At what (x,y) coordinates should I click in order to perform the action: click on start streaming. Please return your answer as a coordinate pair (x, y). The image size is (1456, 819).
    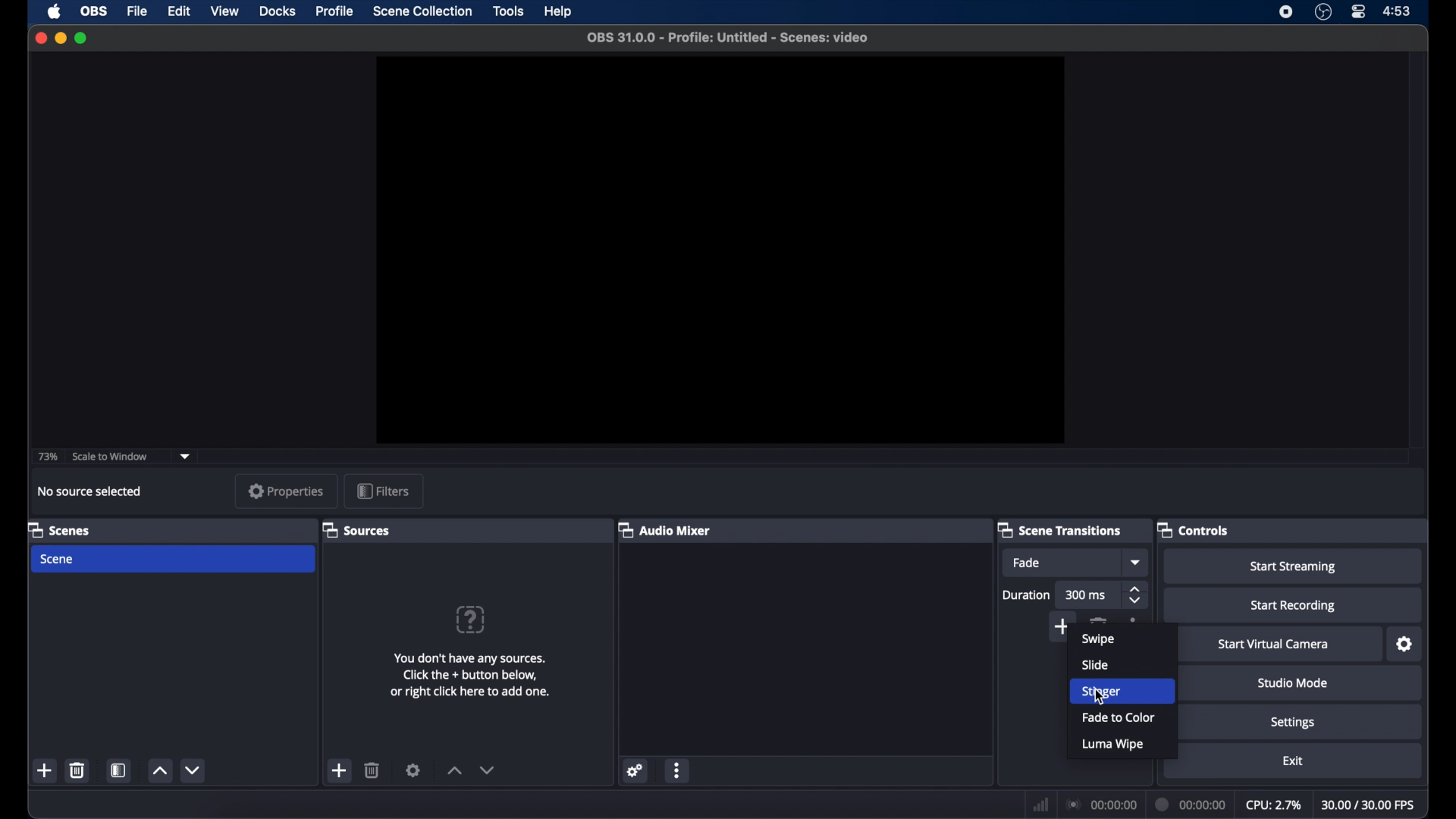
    Looking at the image, I should click on (1296, 567).